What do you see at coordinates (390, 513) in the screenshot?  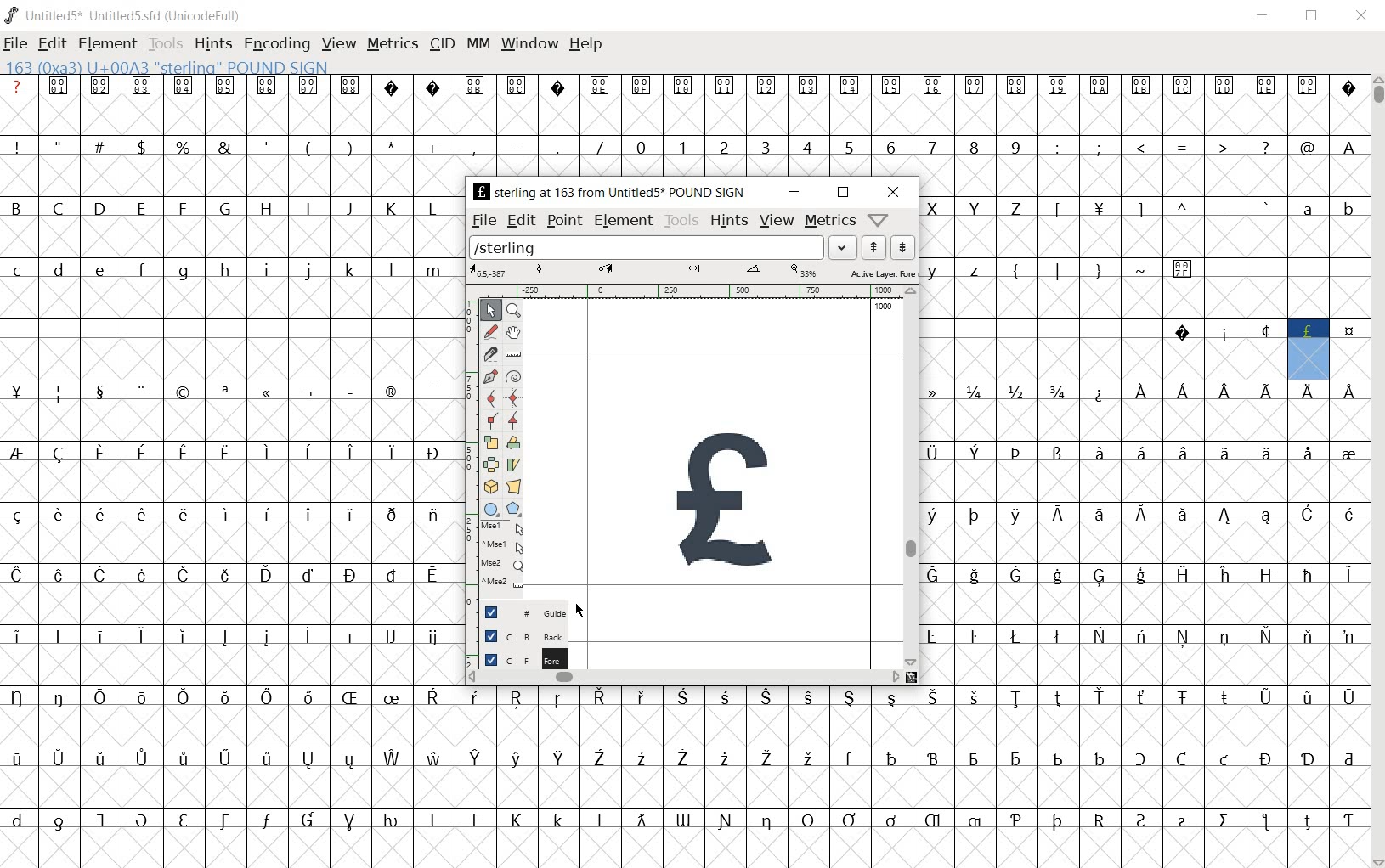 I see `Symbol` at bounding box center [390, 513].